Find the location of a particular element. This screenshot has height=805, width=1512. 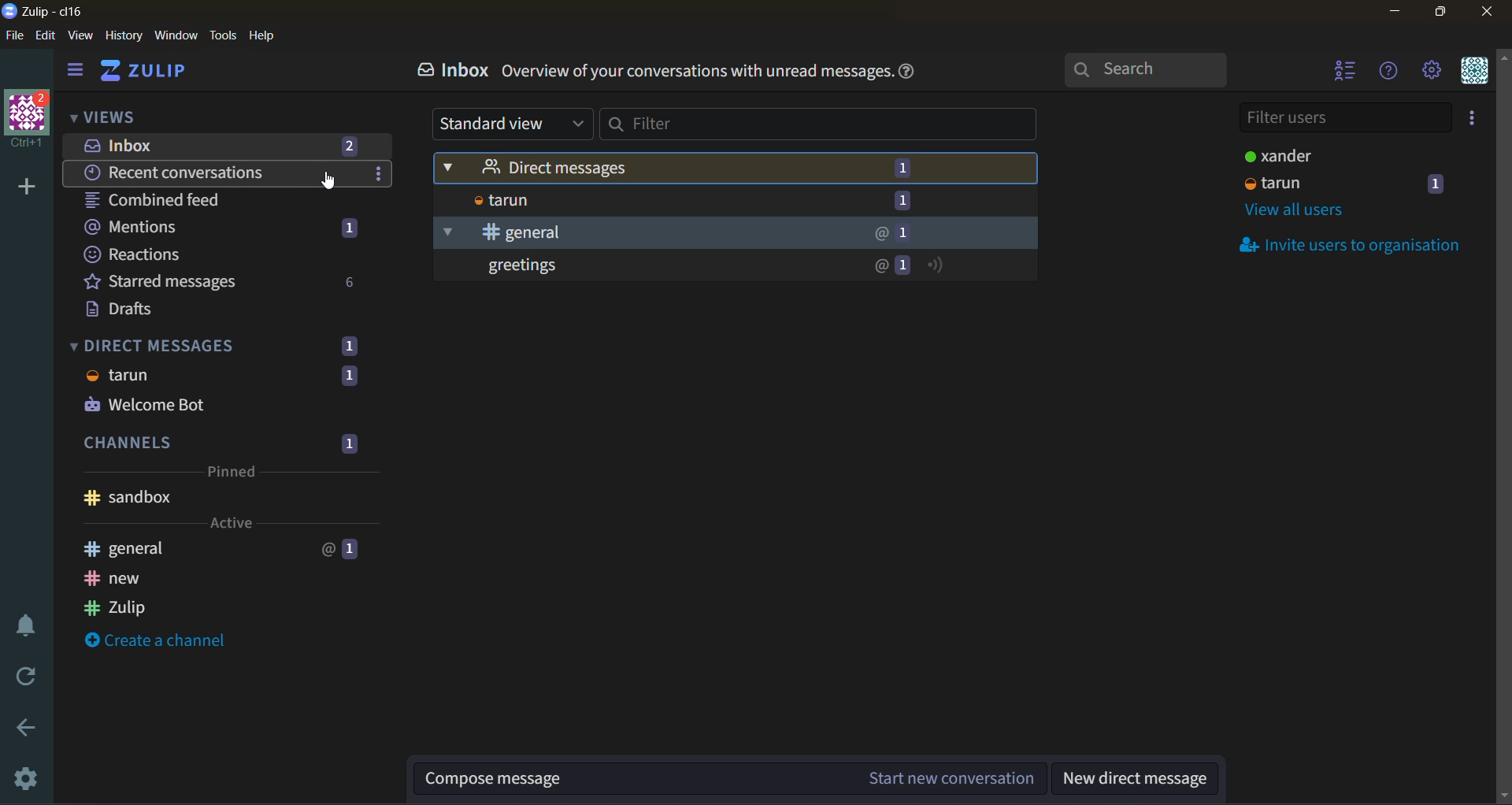

users and status is located at coordinates (1355, 183).